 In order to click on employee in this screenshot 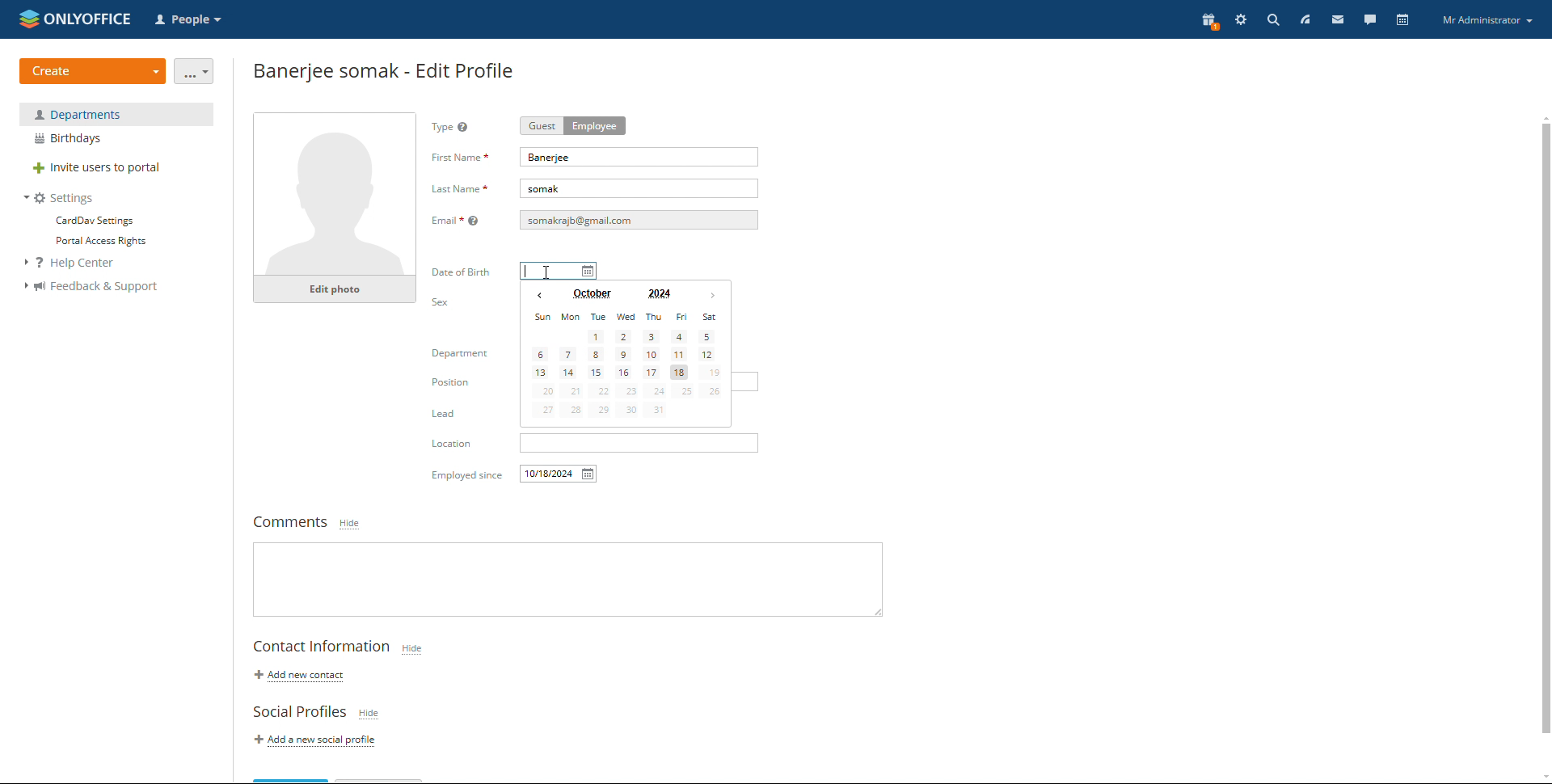, I will do `click(595, 125)`.